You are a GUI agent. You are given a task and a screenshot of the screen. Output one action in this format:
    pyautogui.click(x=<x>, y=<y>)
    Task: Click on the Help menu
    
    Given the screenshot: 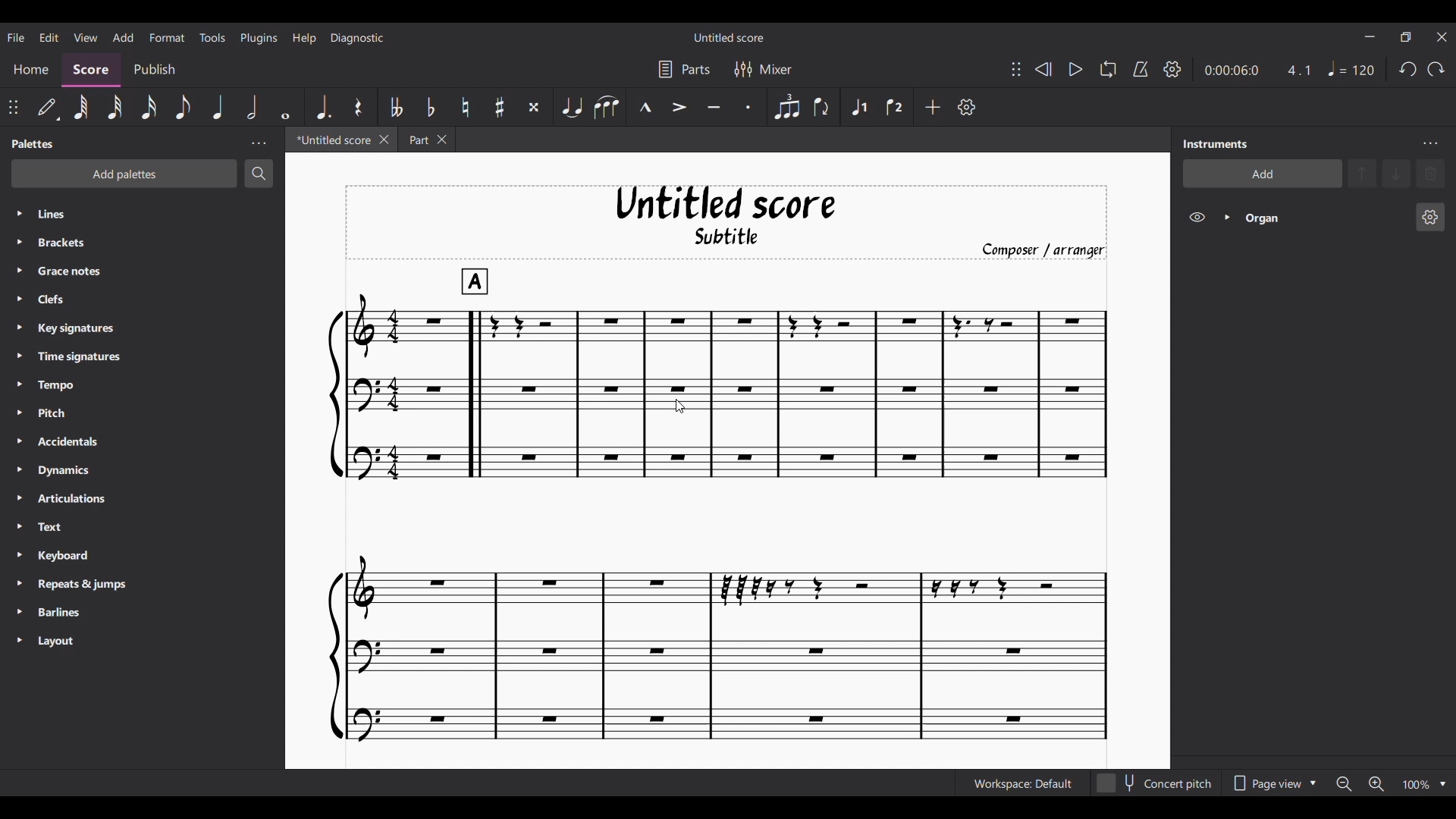 What is the action you would take?
    pyautogui.click(x=304, y=38)
    